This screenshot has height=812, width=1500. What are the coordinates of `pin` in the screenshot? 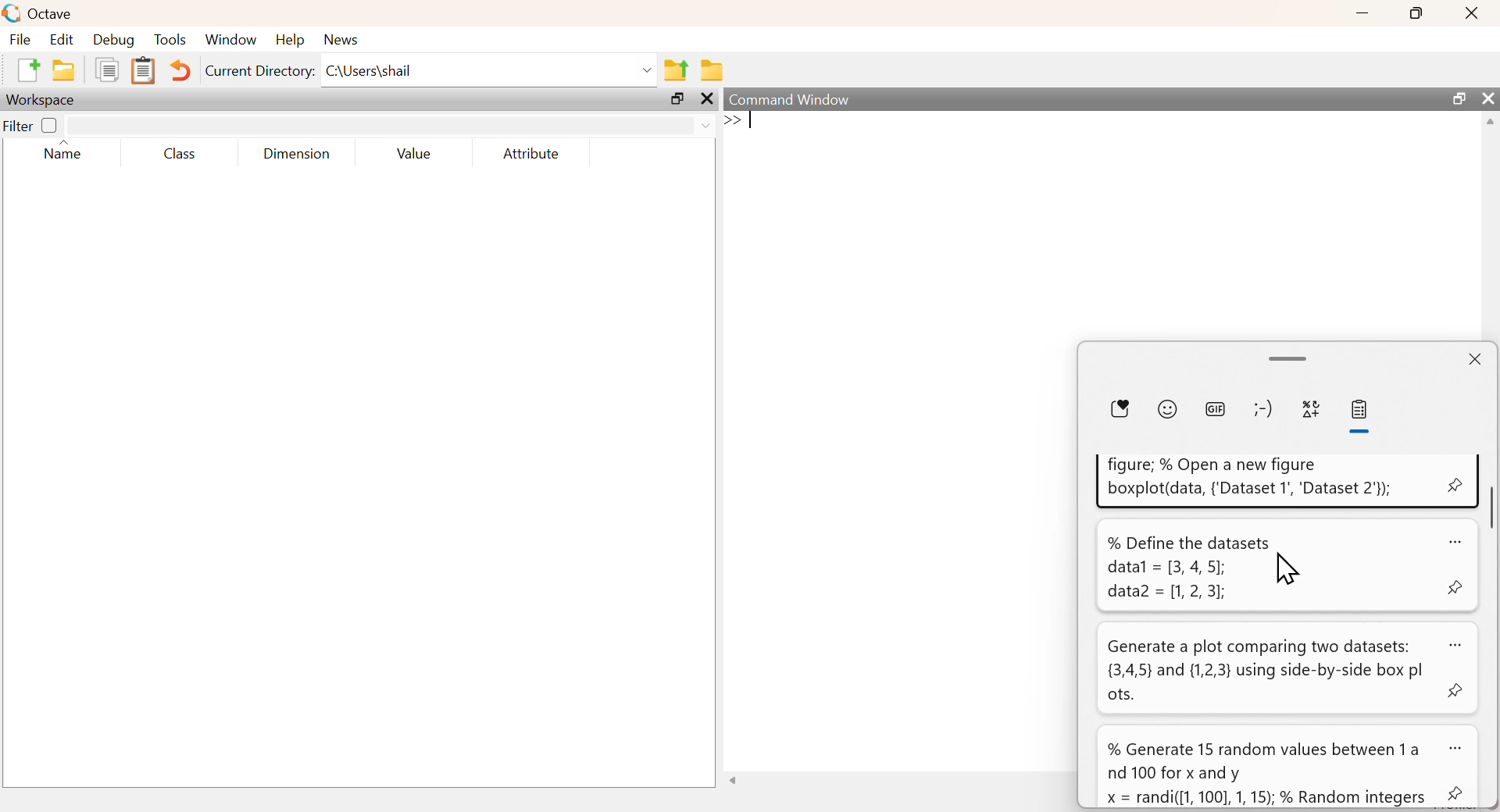 It's located at (1455, 586).